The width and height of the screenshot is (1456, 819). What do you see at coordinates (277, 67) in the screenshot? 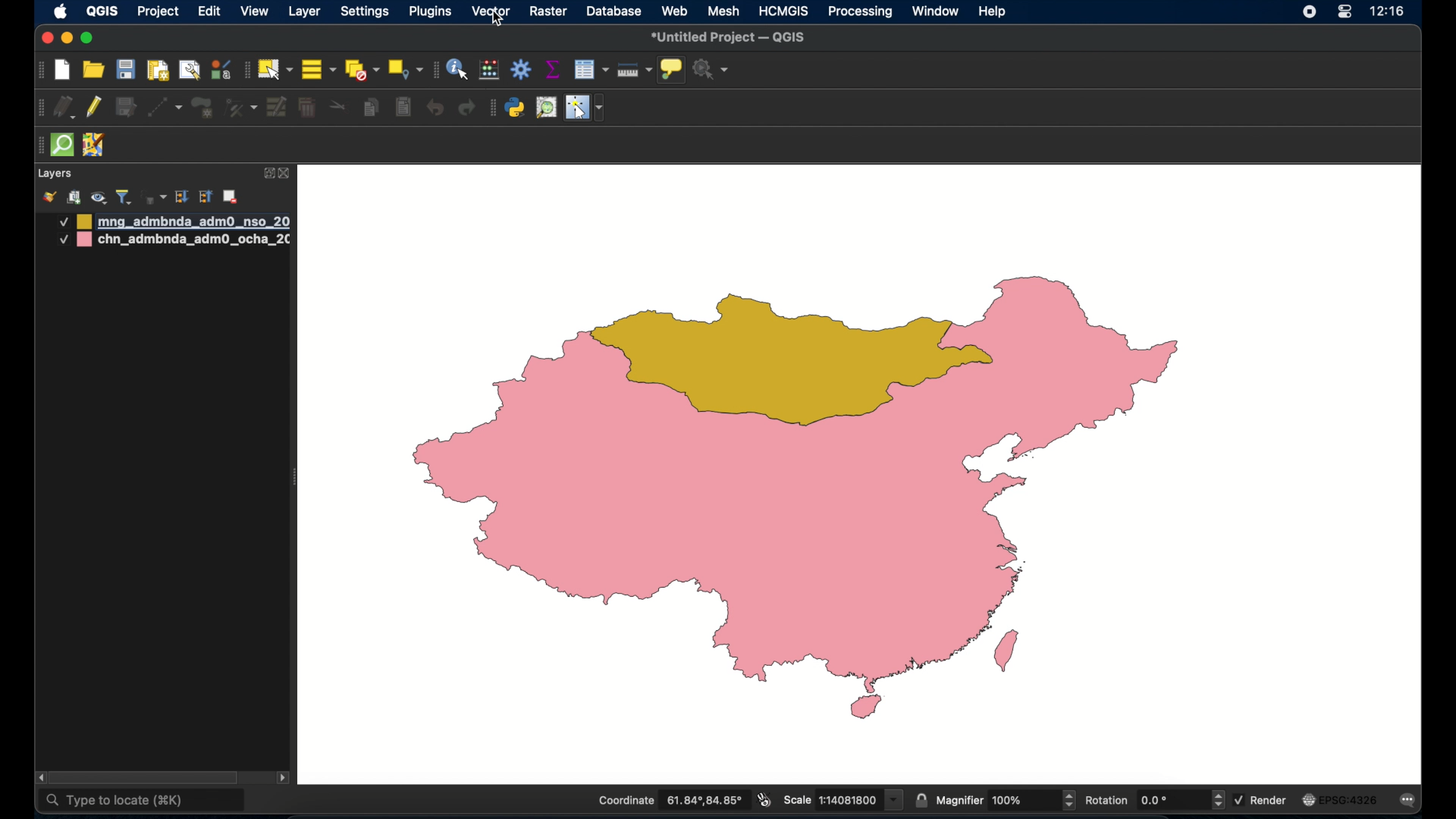
I see `select by area or single click` at bounding box center [277, 67].